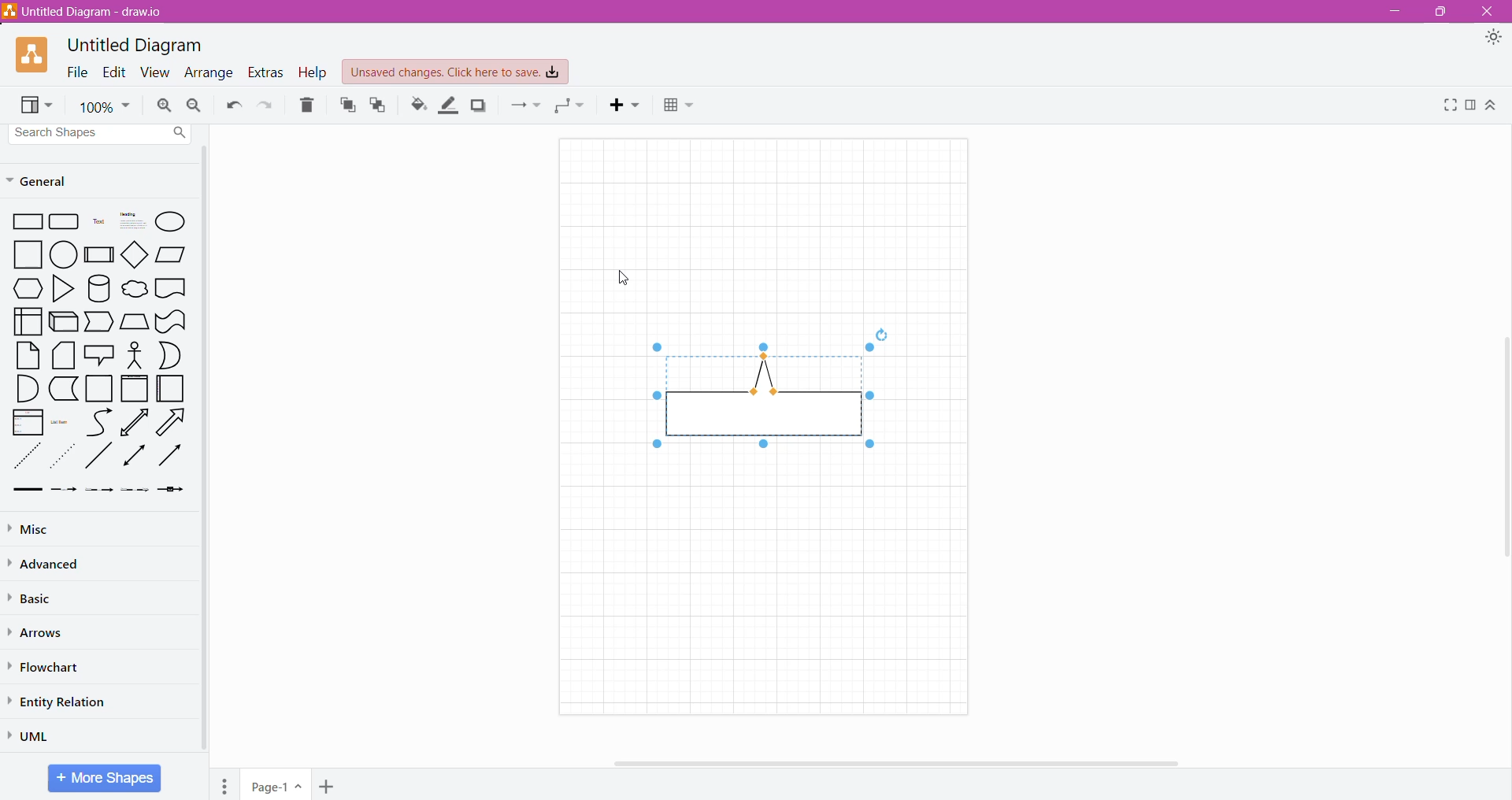 The image size is (1512, 800). What do you see at coordinates (98, 421) in the screenshot?
I see `Curved Line` at bounding box center [98, 421].